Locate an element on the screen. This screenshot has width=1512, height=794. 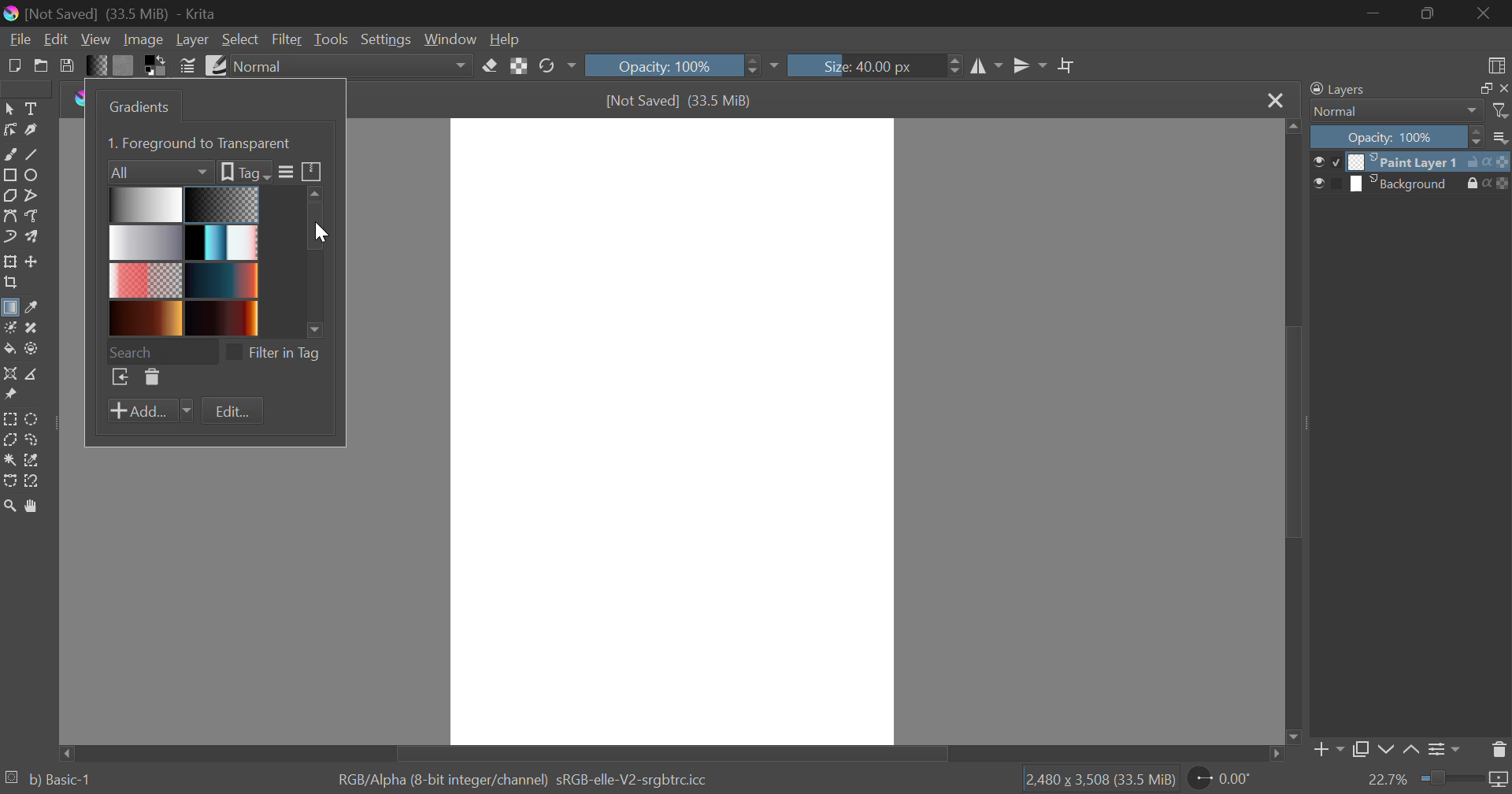
Line is located at coordinates (32, 153).